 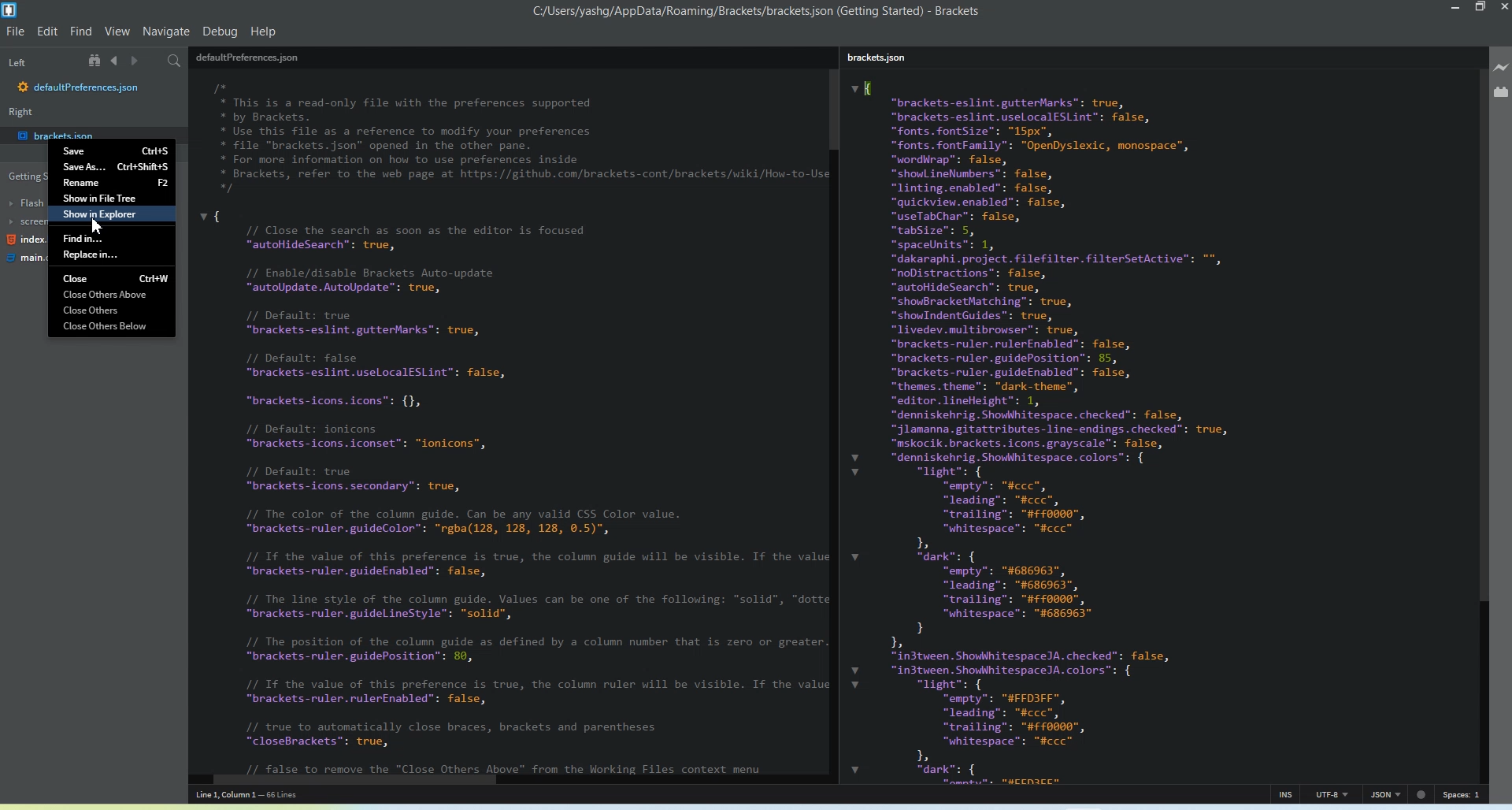 I want to click on Vertical Scroll bar, so click(x=1482, y=422).